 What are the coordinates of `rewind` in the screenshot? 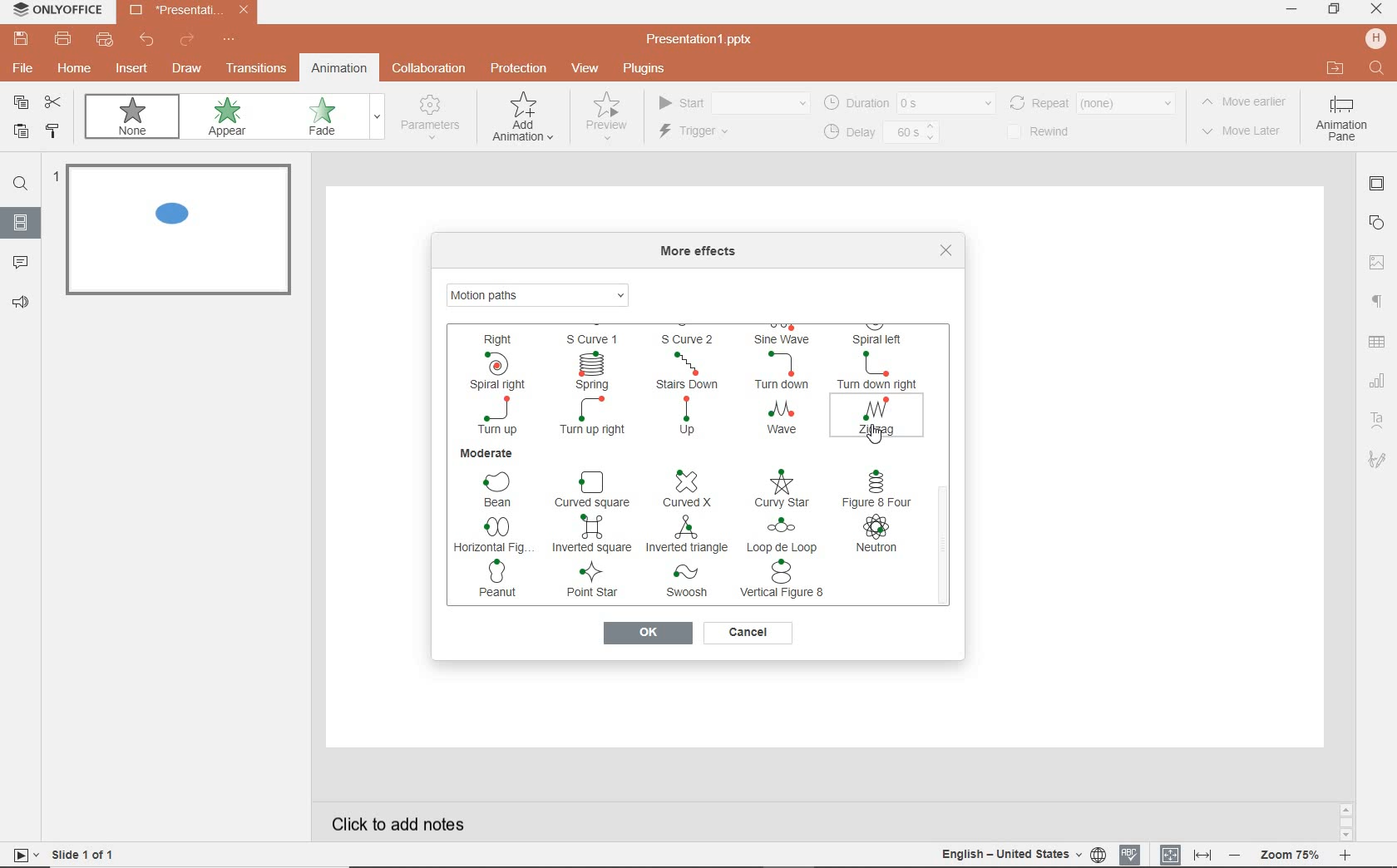 It's located at (1091, 101).